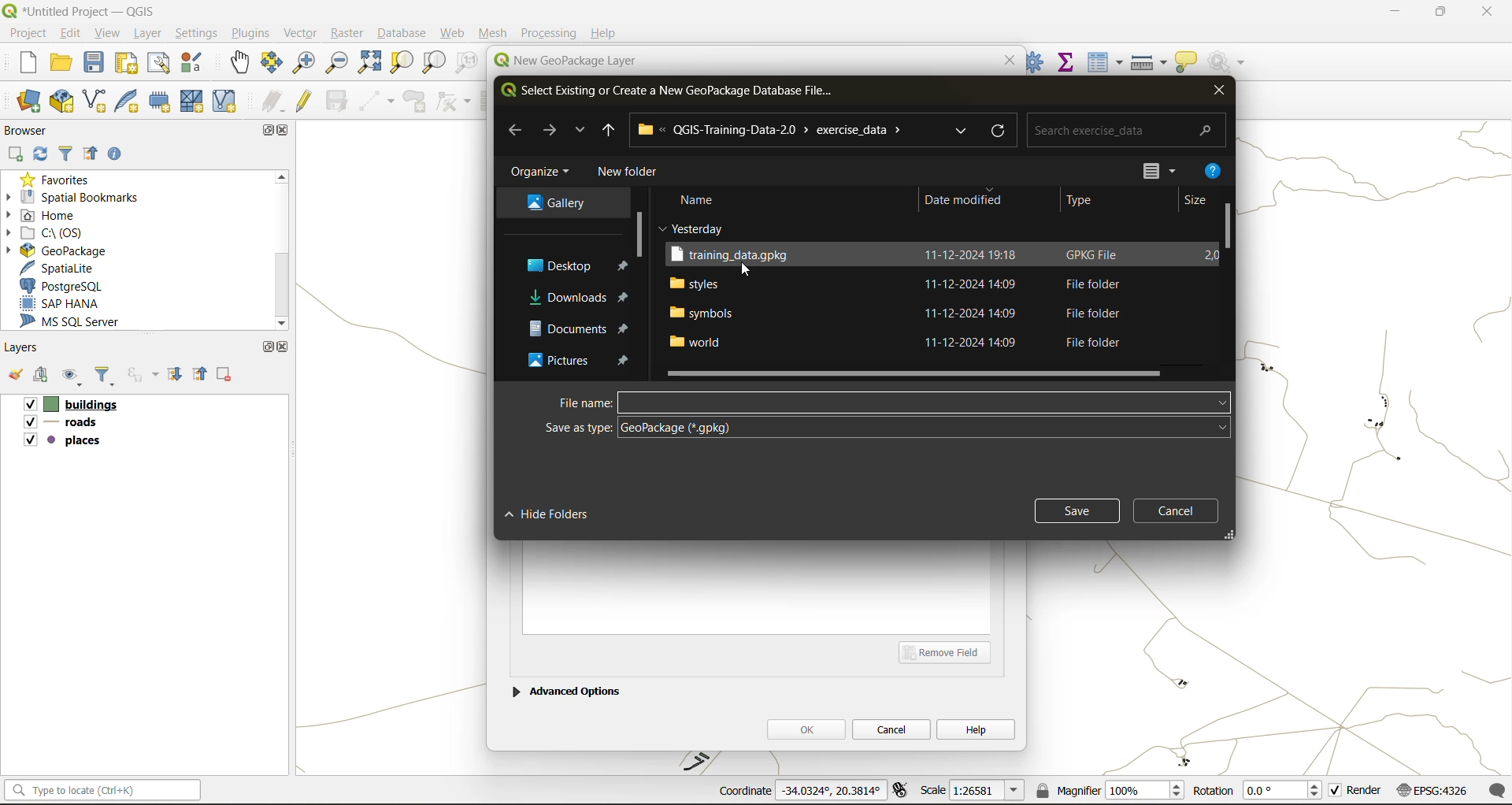  What do you see at coordinates (339, 101) in the screenshot?
I see `save edits` at bounding box center [339, 101].